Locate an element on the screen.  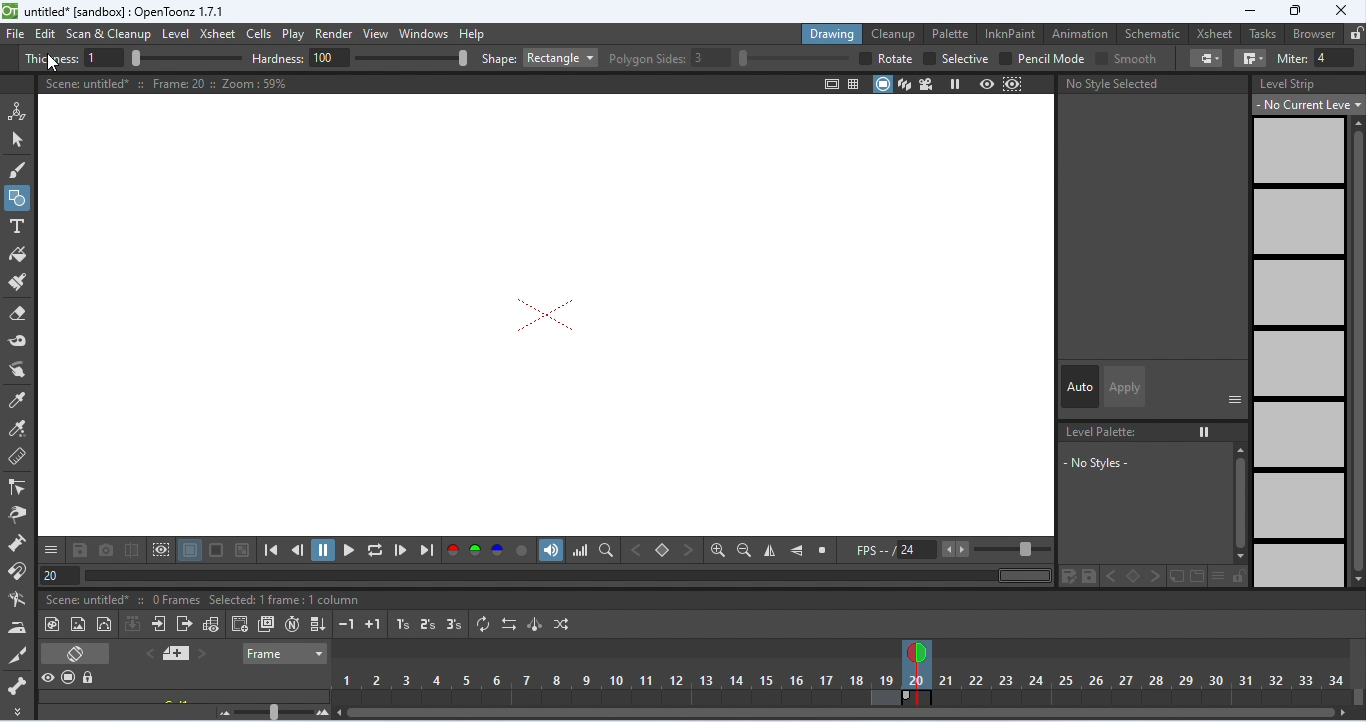
define sub camera is located at coordinates (161, 549).